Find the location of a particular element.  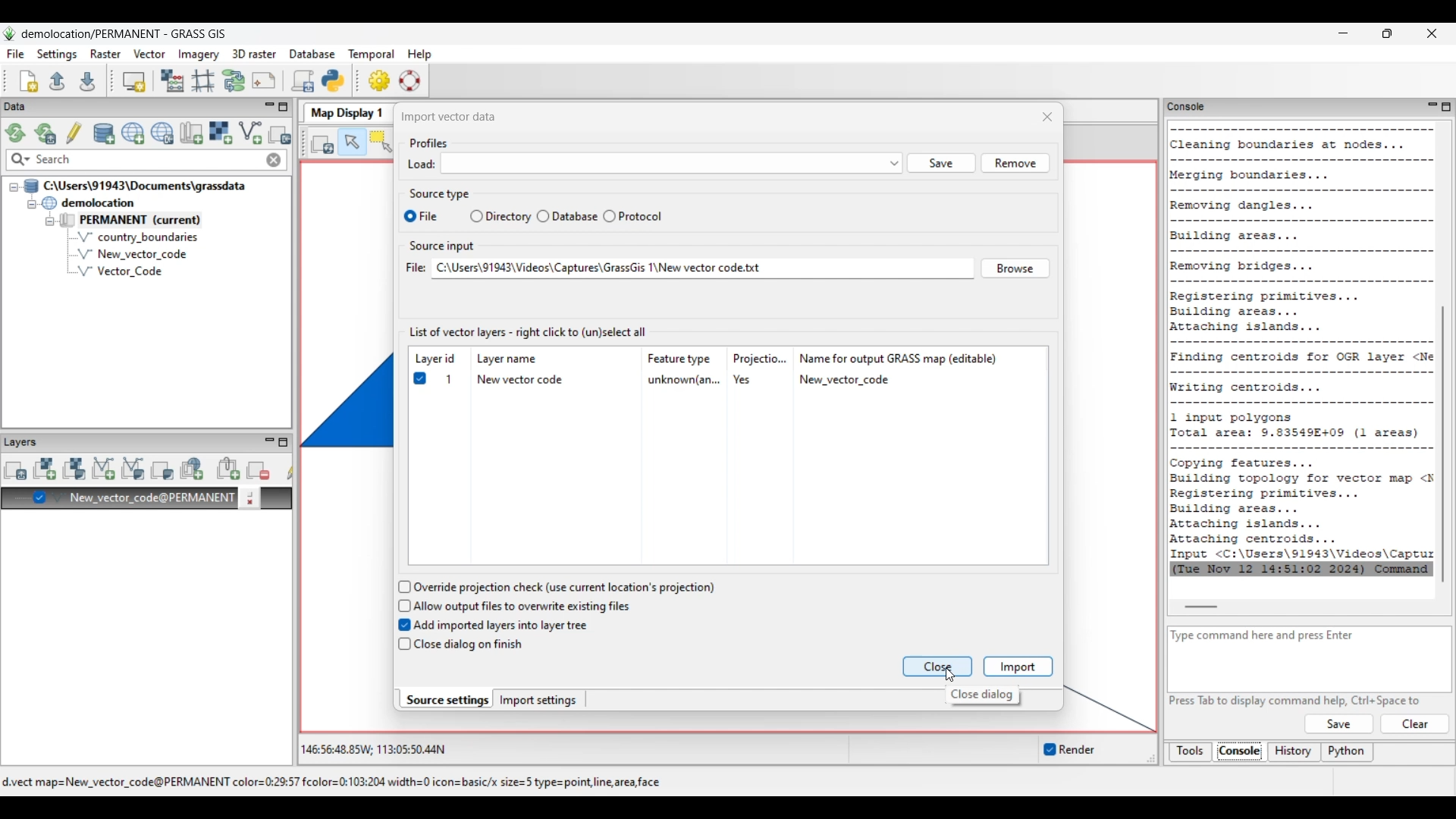

Co-ordinates of the cursor within the display area is located at coordinates (371, 750).